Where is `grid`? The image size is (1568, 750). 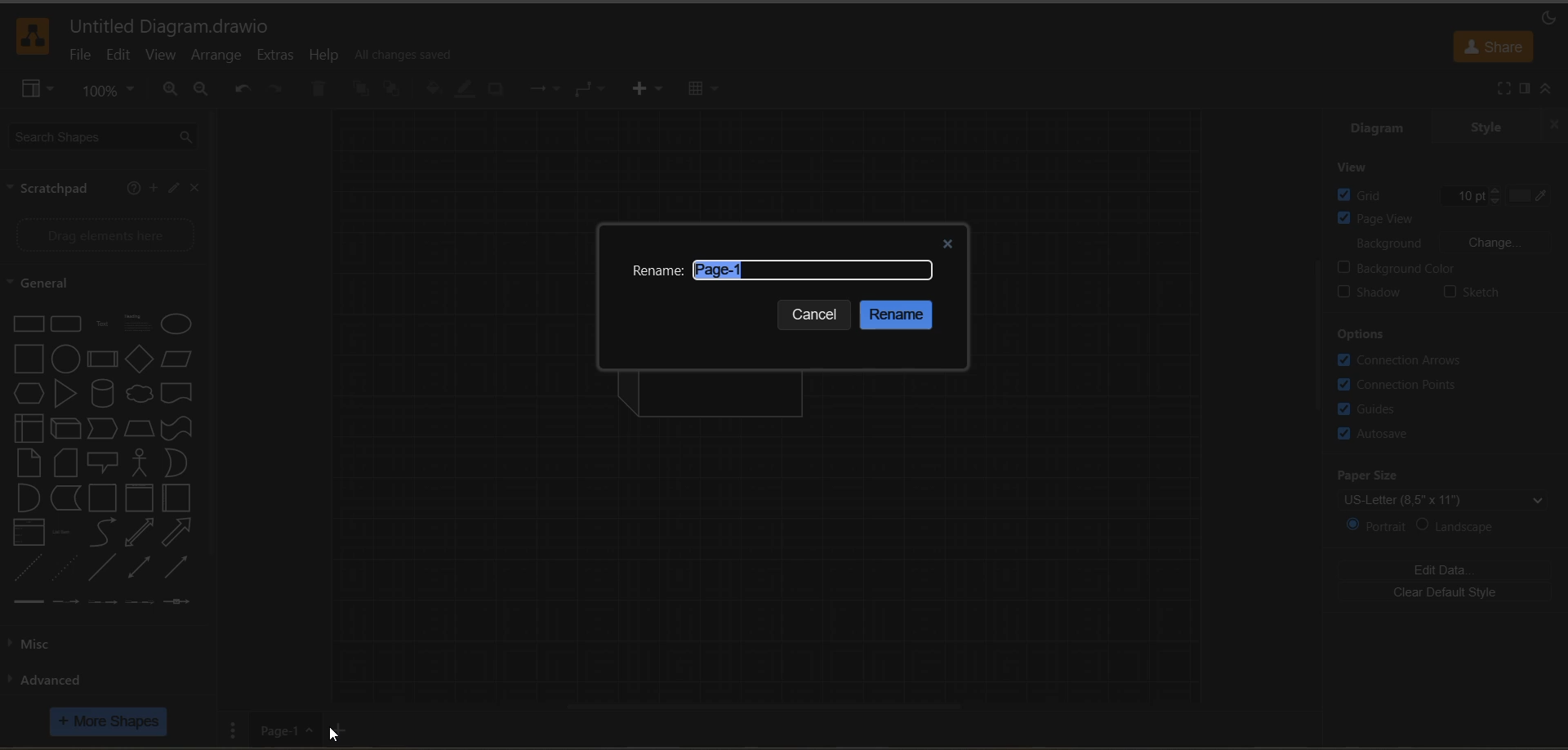 grid is located at coordinates (1370, 194).